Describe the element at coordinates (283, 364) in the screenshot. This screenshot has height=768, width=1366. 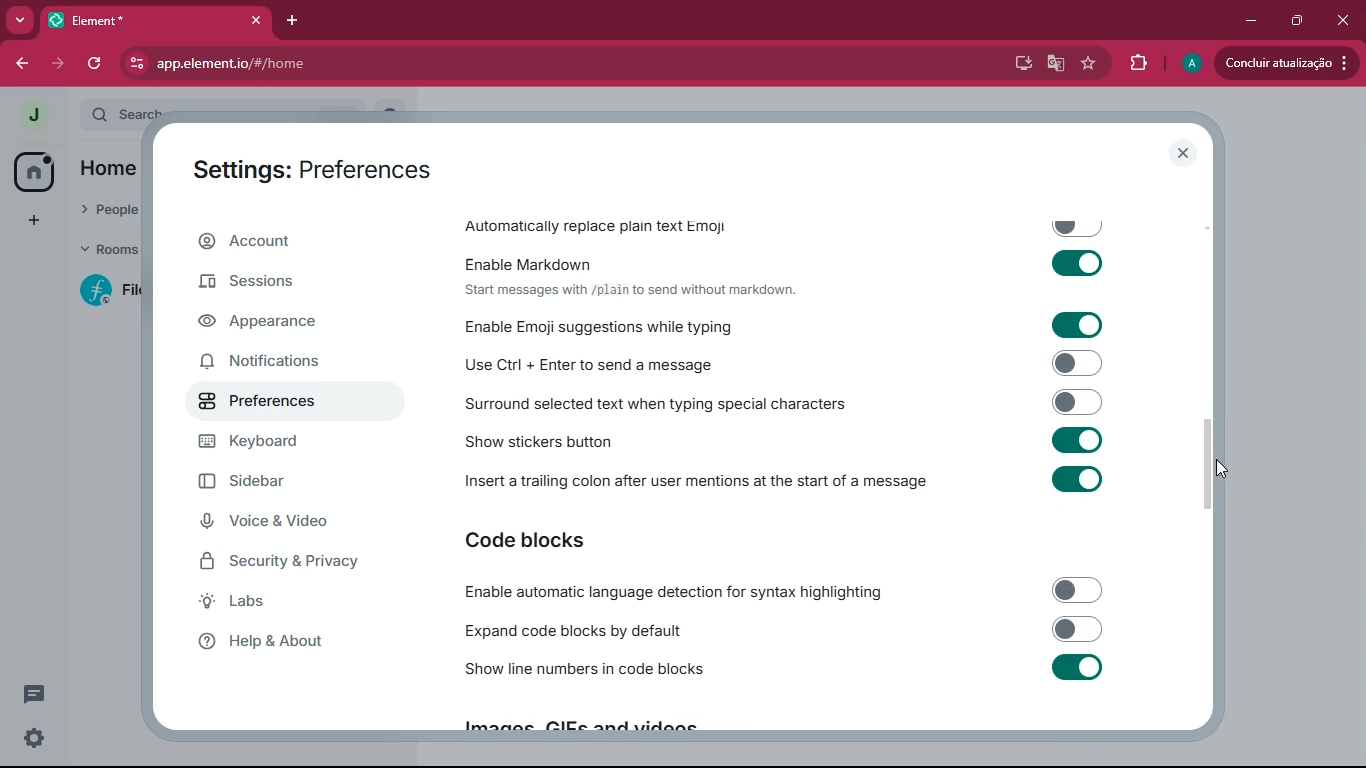
I see `notifications` at that location.